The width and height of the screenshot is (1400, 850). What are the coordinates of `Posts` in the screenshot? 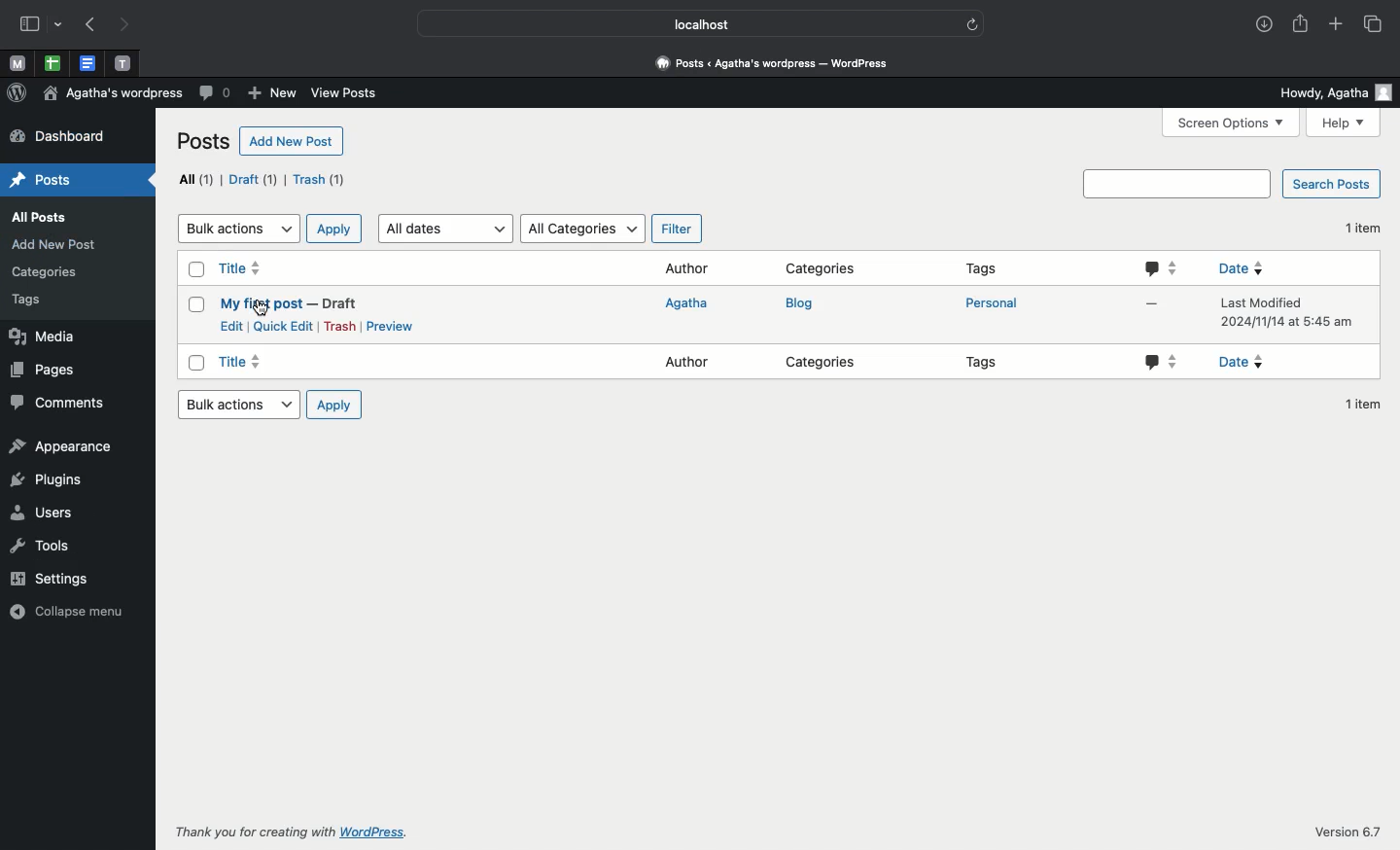 It's located at (53, 182).